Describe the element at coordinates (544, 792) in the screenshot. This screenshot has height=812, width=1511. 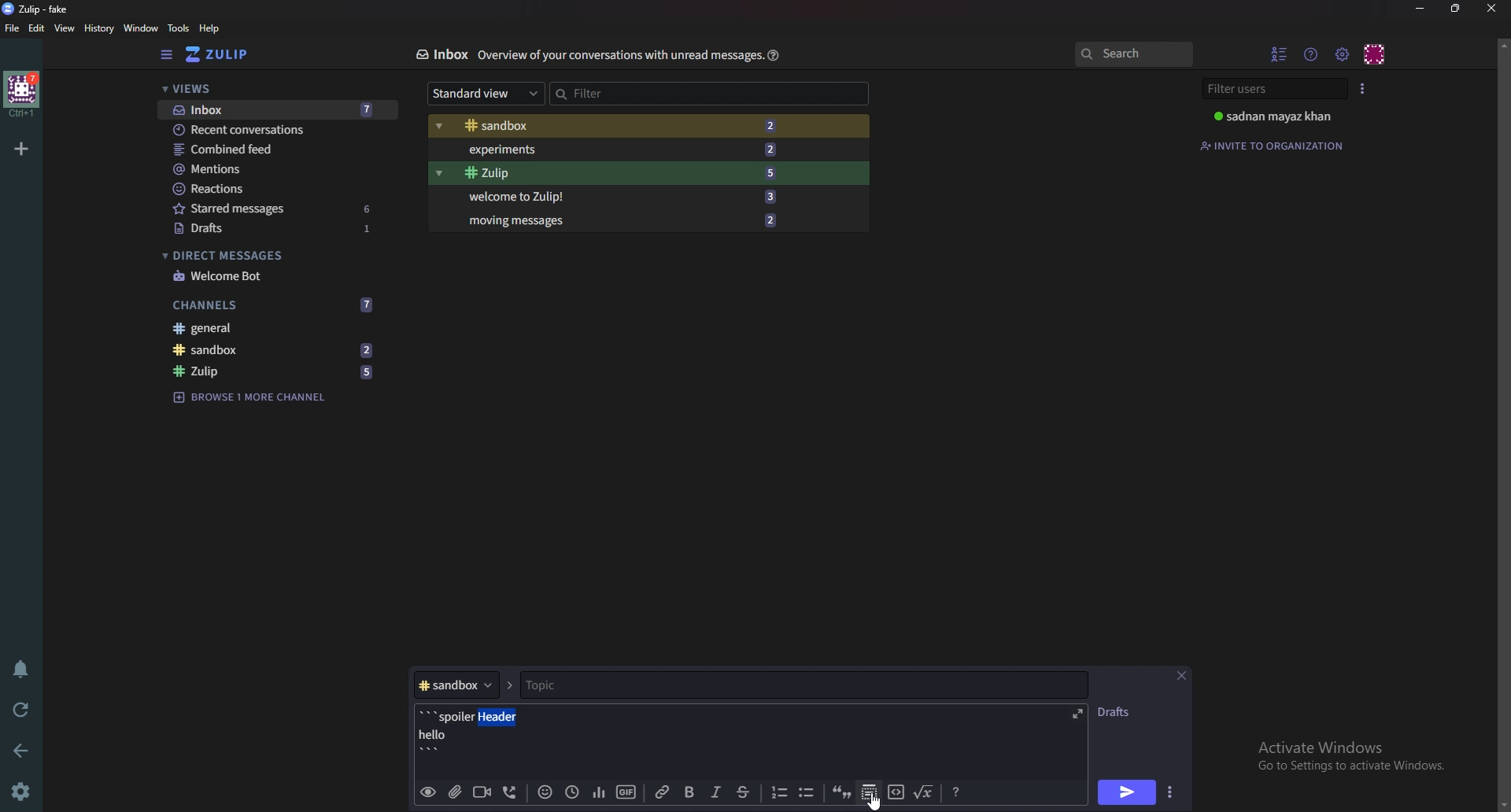
I see `Emoji` at that location.